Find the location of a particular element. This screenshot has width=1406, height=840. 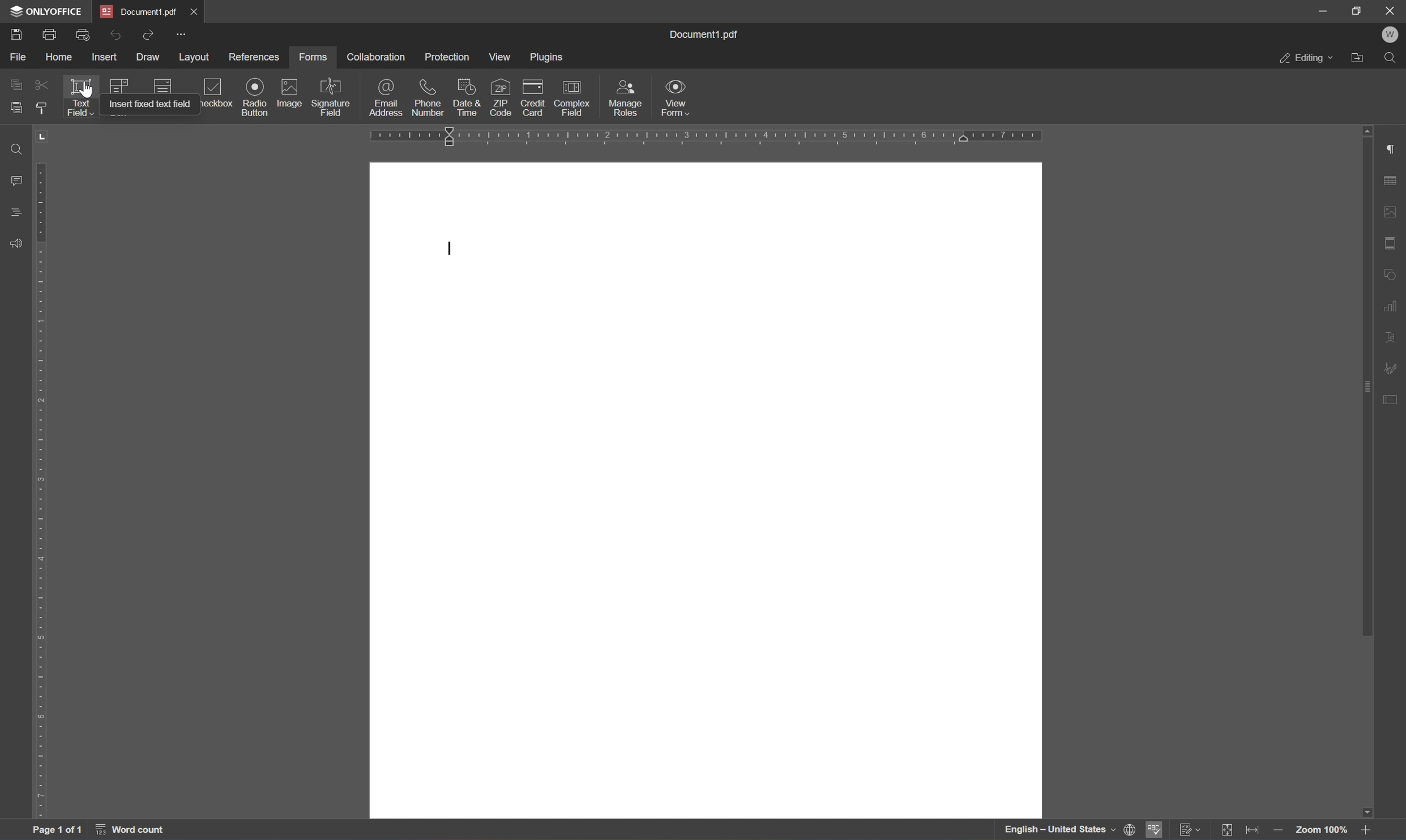

protection is located at coordinates (447, 56).